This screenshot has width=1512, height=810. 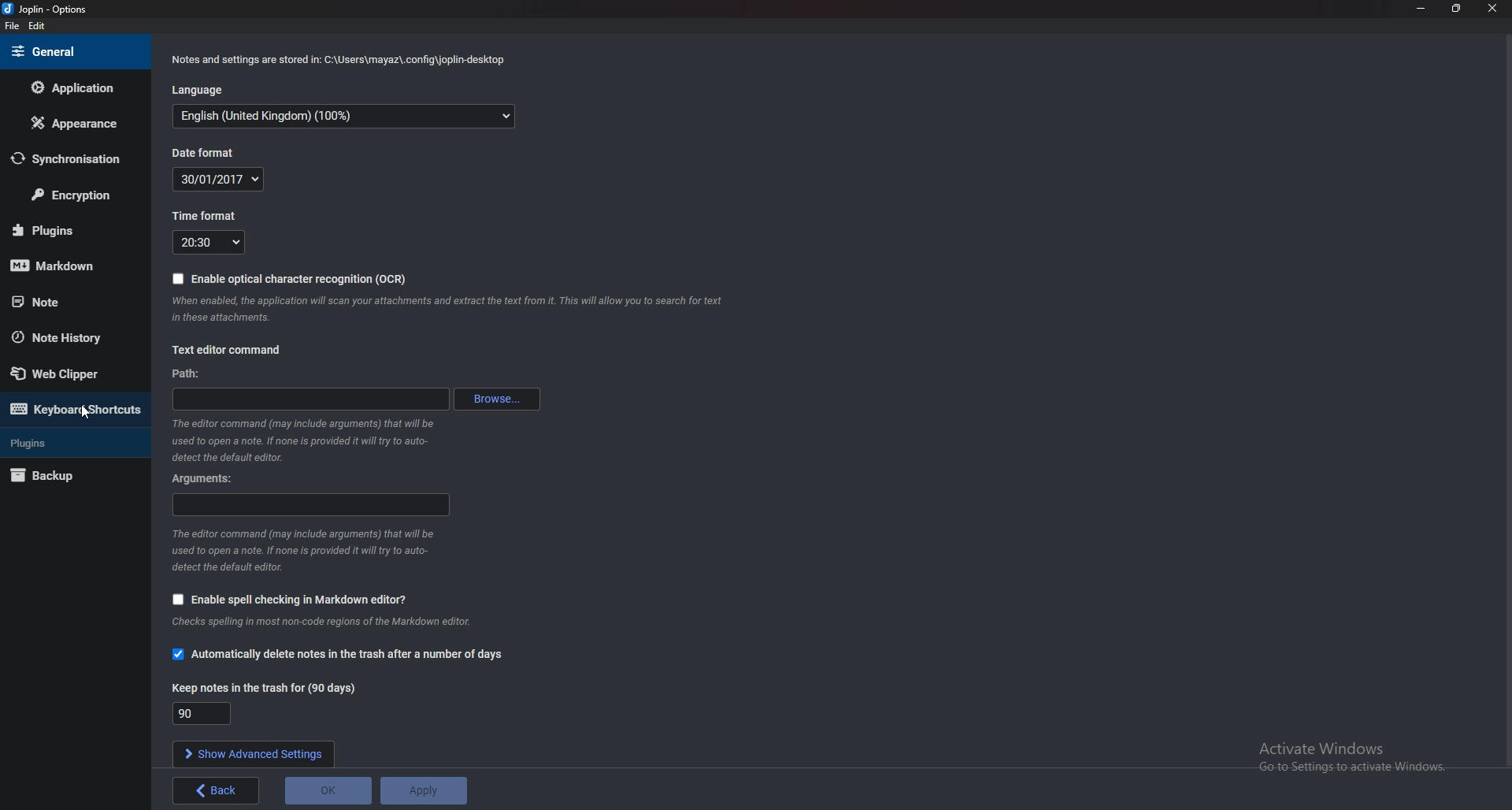 I want to click on Arguments, so click(x=210, y=481).